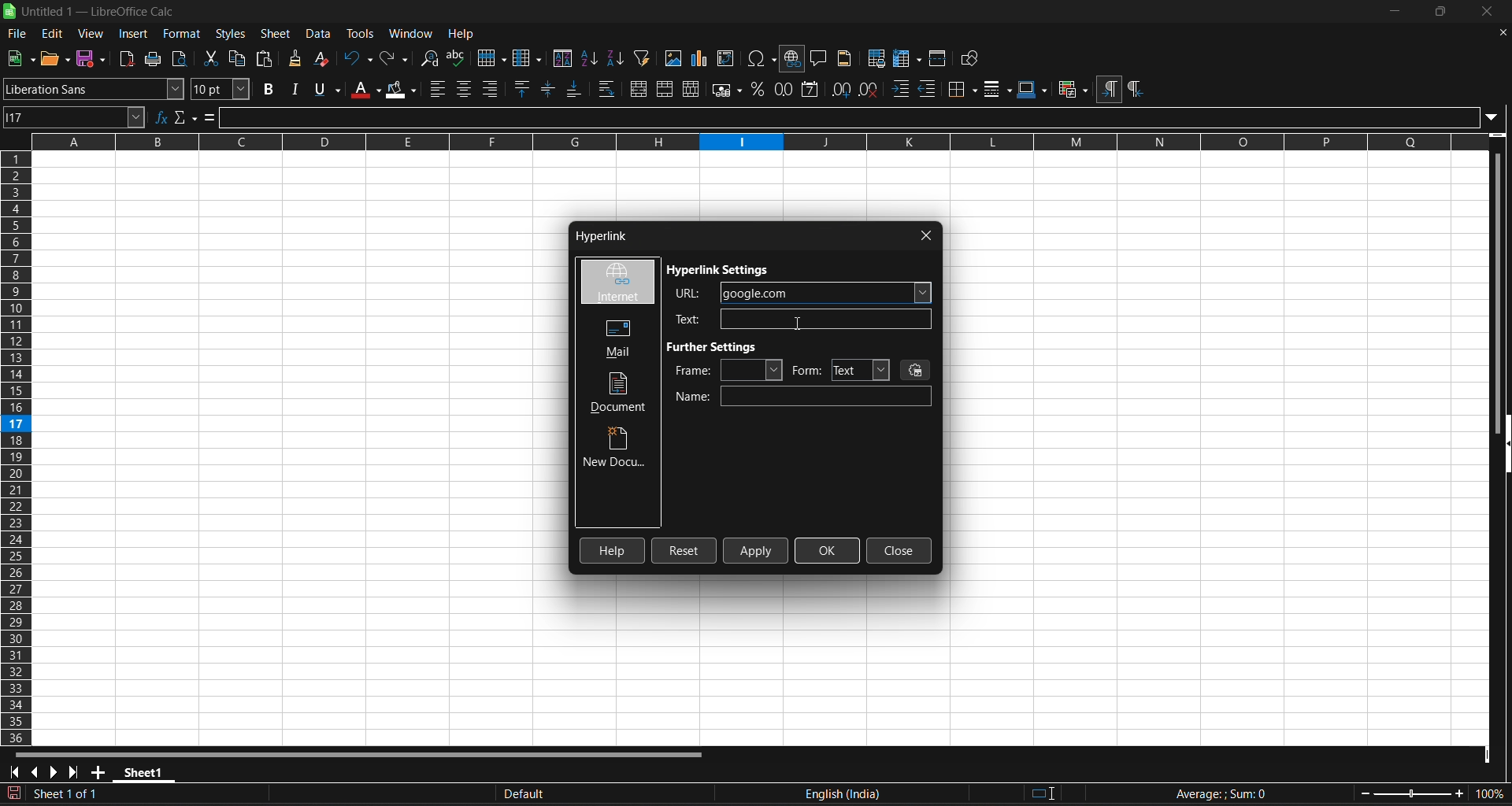 The width and height of the screenshot is (1512, 806). I want to click on headers and footers, so click(847, 58).